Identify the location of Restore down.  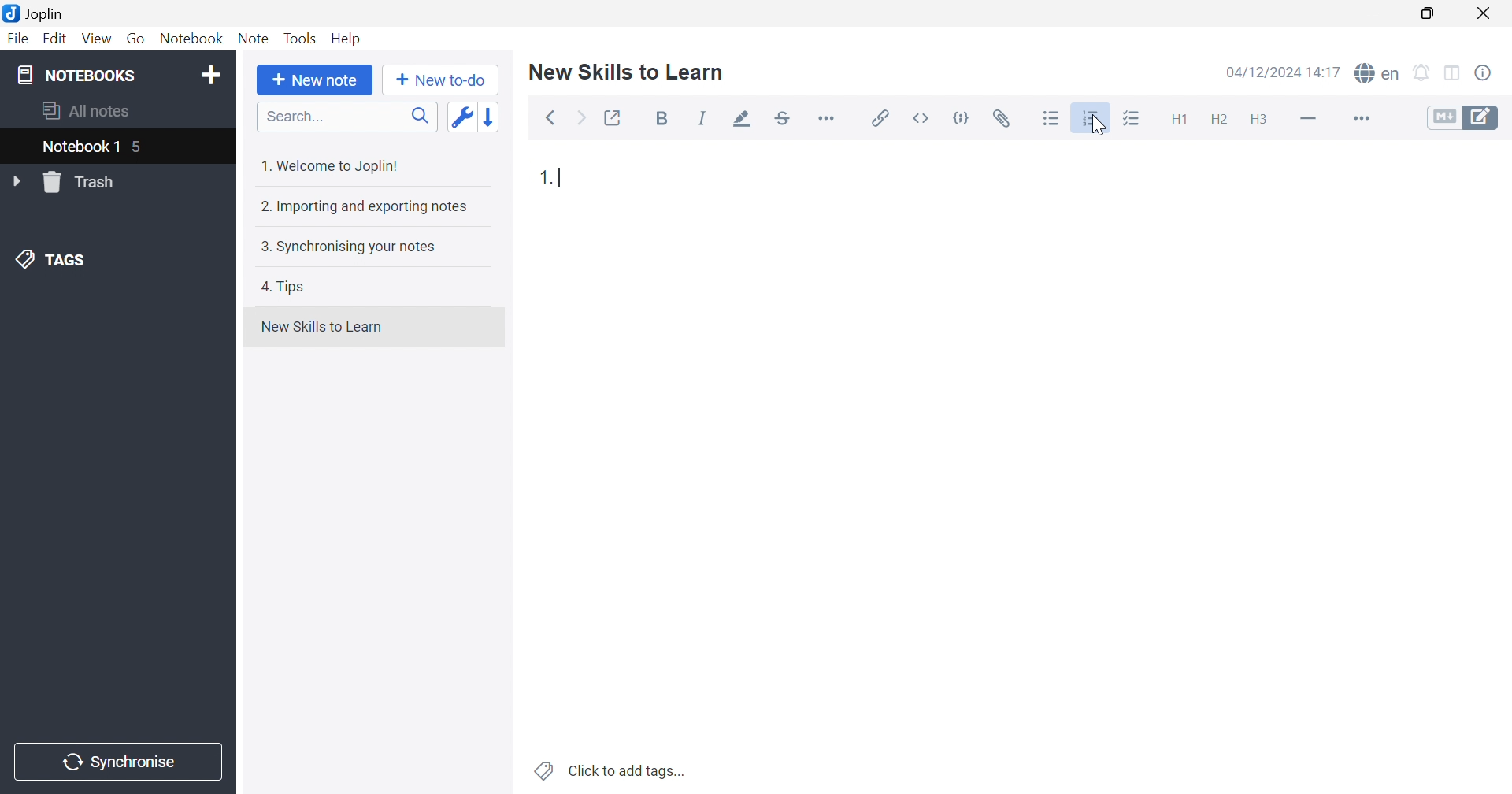
(1427, 13).